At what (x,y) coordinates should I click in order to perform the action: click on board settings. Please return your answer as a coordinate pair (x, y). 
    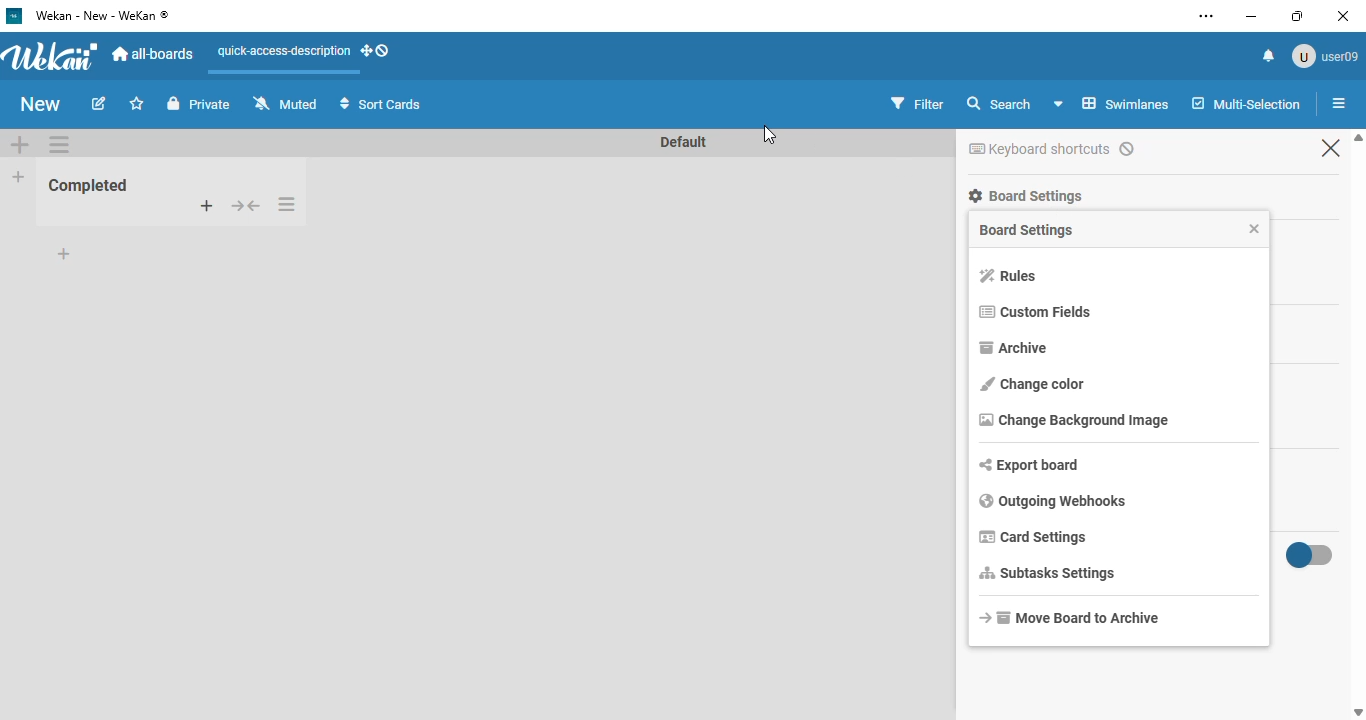
    Looking at the image, I should click on (1025, 195).